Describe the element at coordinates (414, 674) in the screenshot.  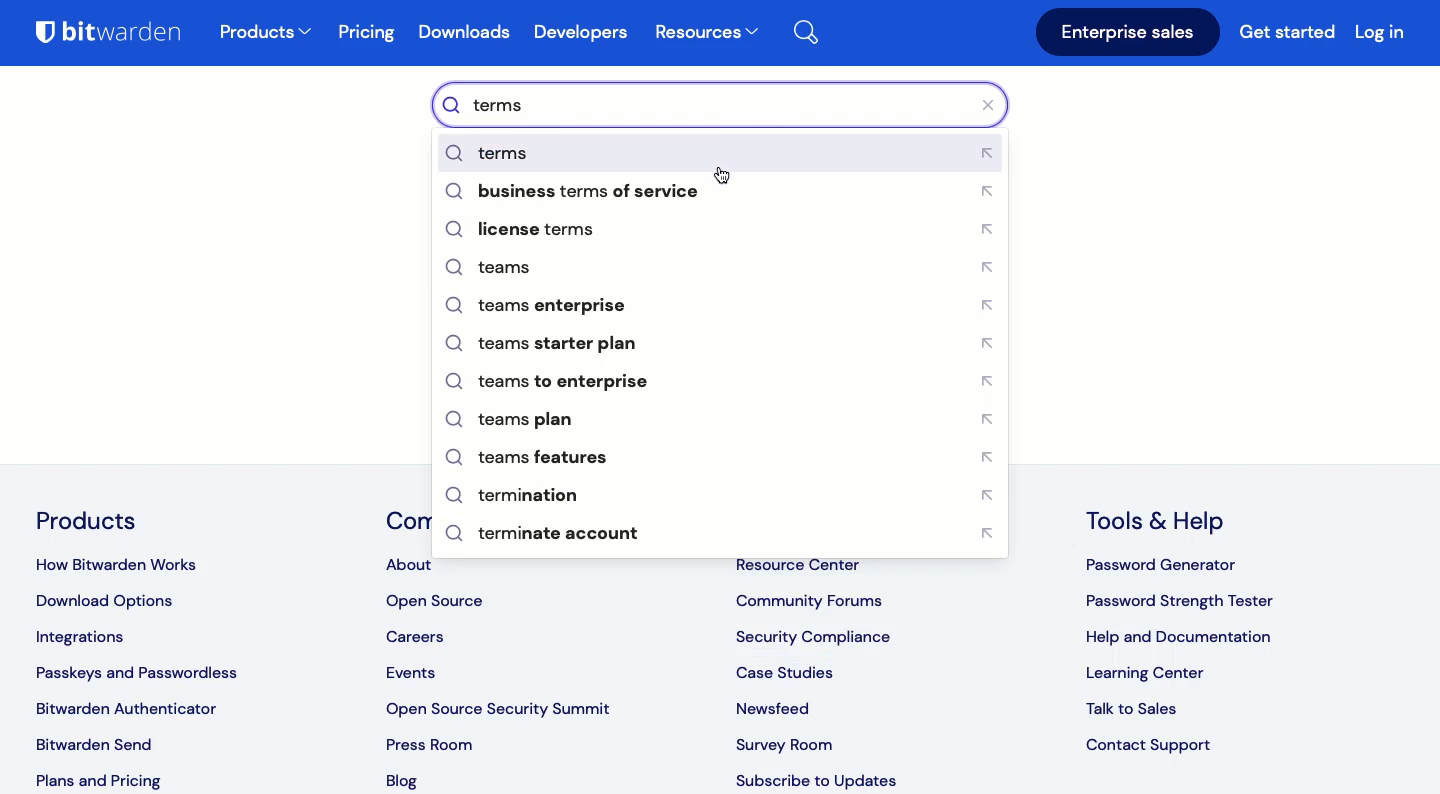
I see `events` at that location.